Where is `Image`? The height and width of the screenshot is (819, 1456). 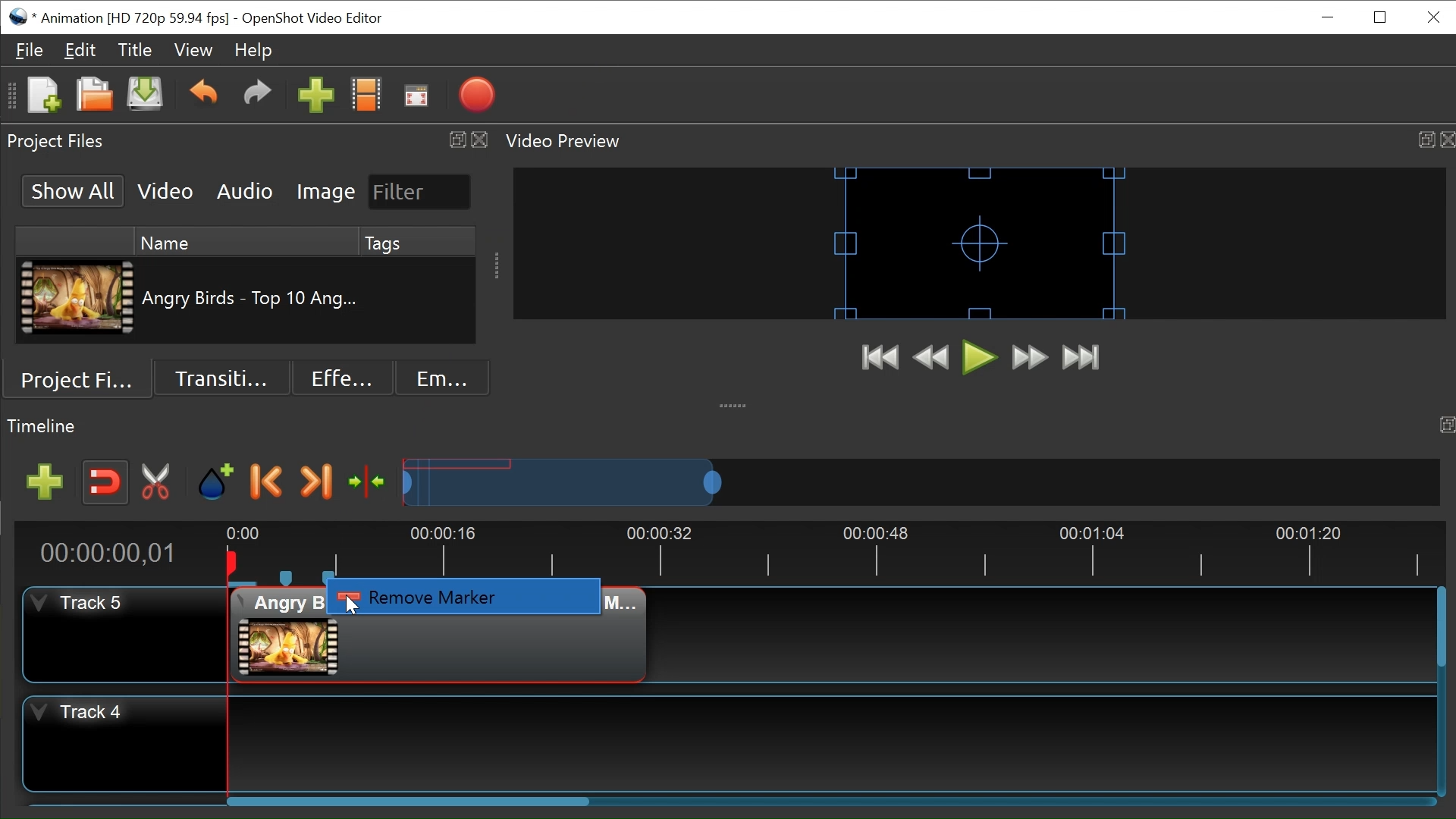
Image is located at coordinates (325, 193).